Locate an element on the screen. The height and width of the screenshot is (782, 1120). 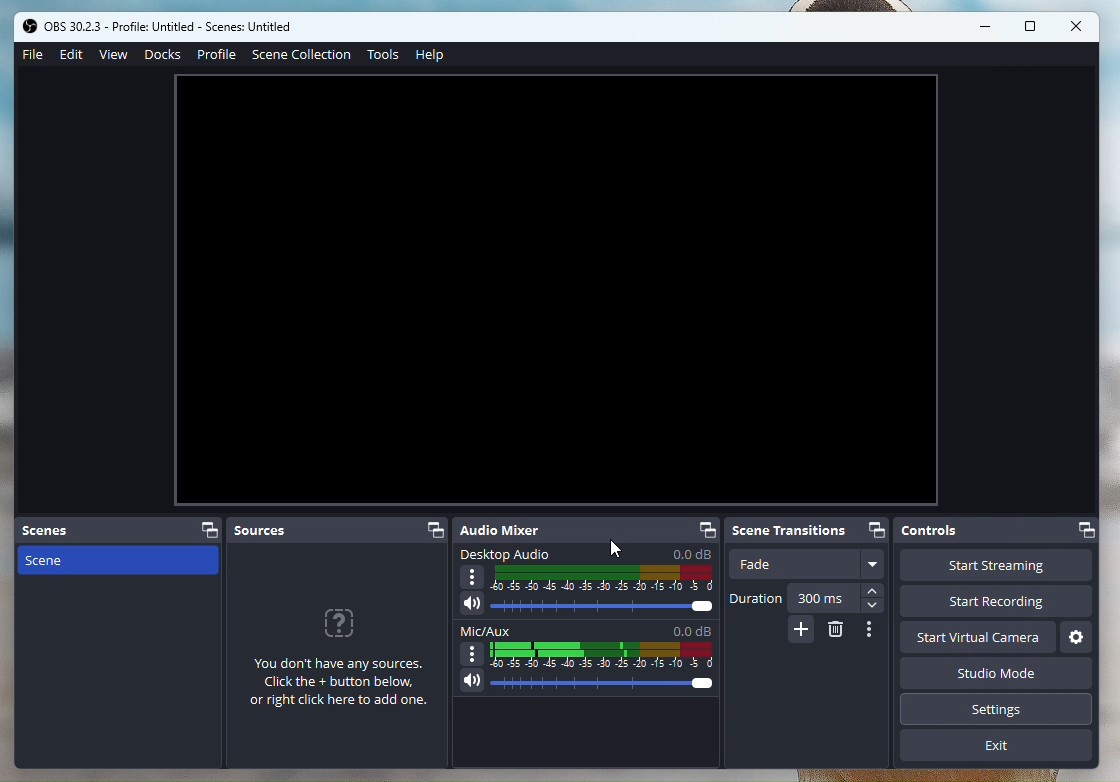
After last action is located at coordinates (558, 291).